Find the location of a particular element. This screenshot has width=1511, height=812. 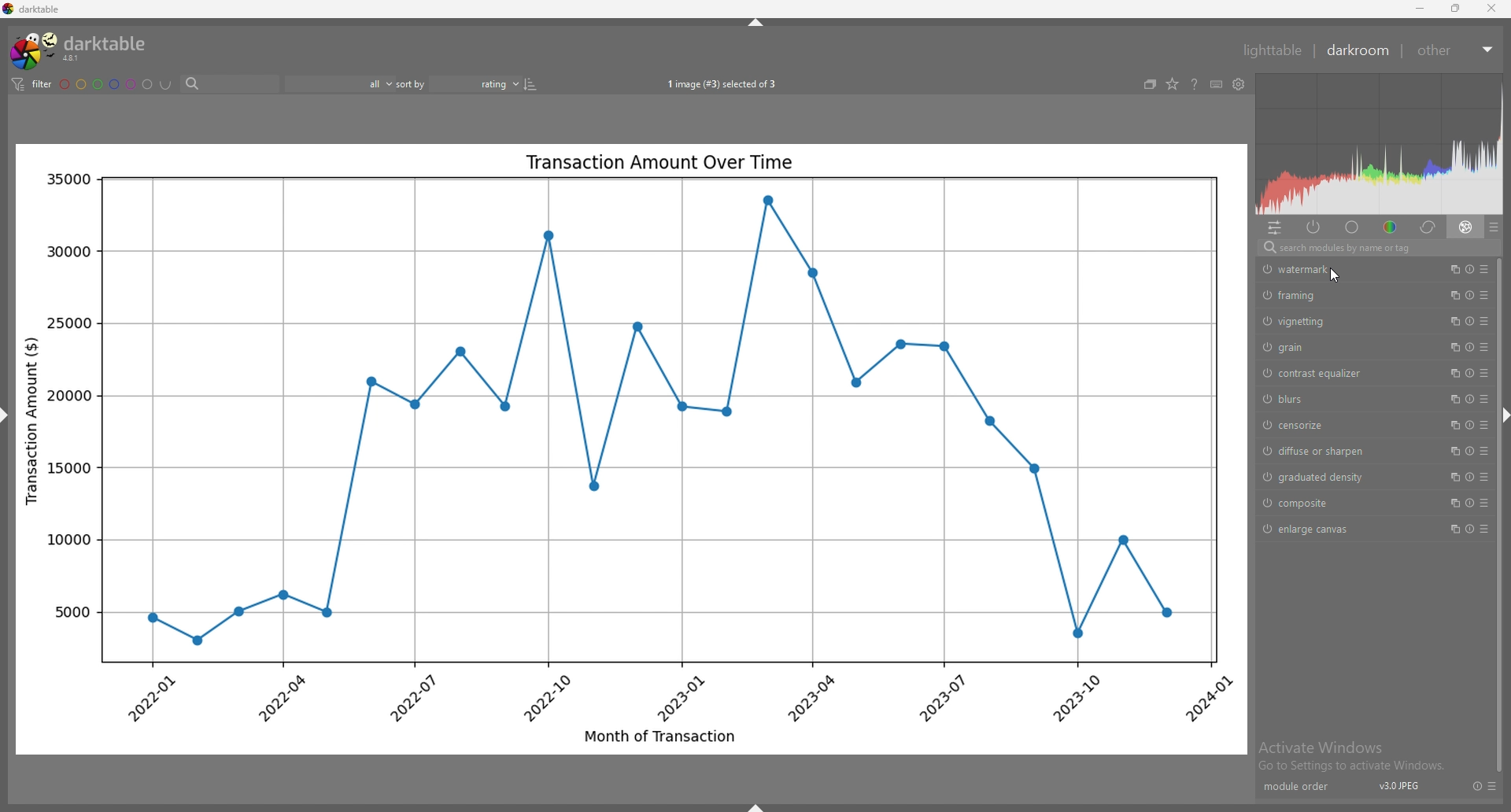

framing is located at coordinates (1346, 293).